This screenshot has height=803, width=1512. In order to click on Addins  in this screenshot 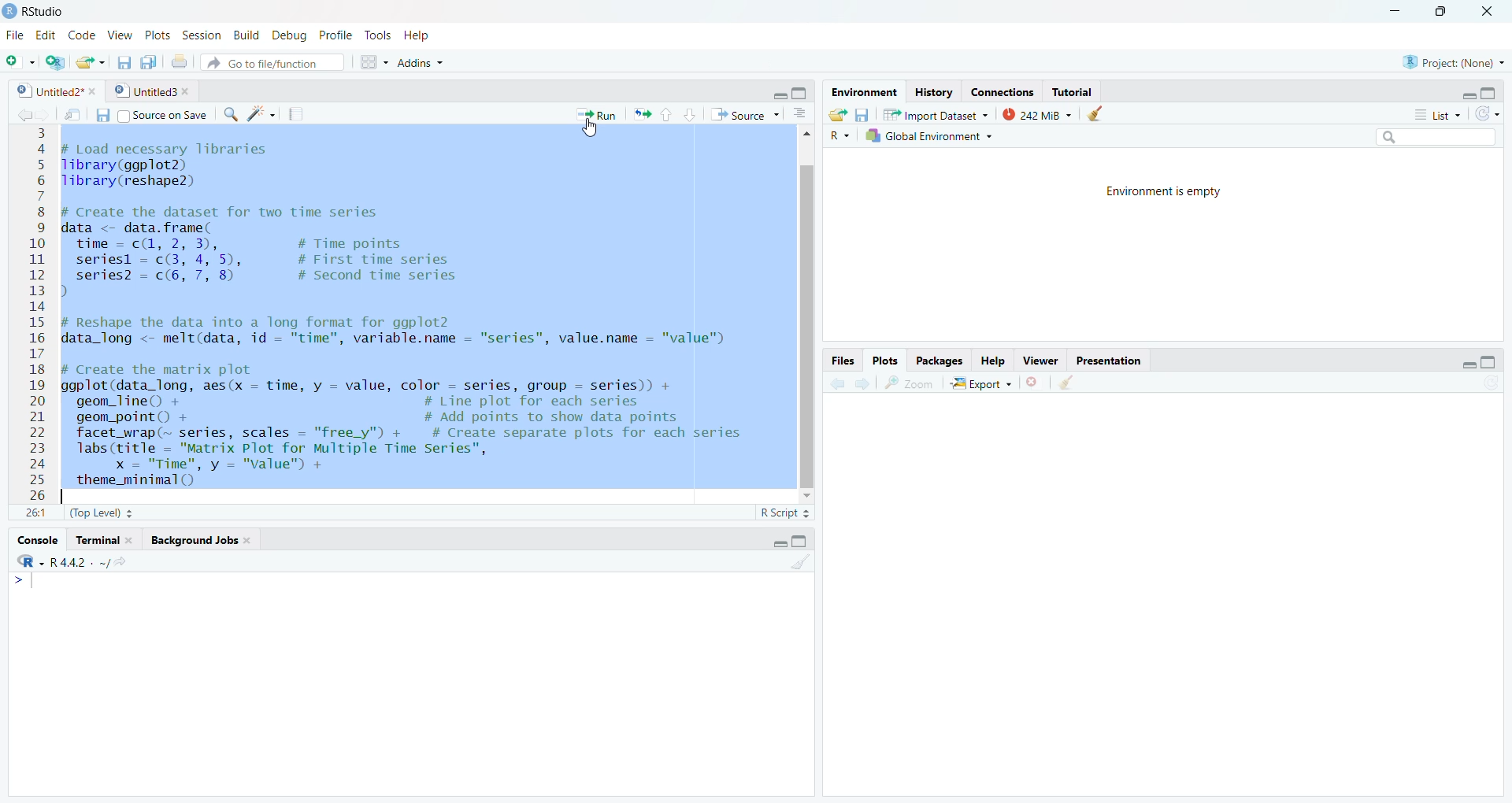, I will do `click(419, 61)`.